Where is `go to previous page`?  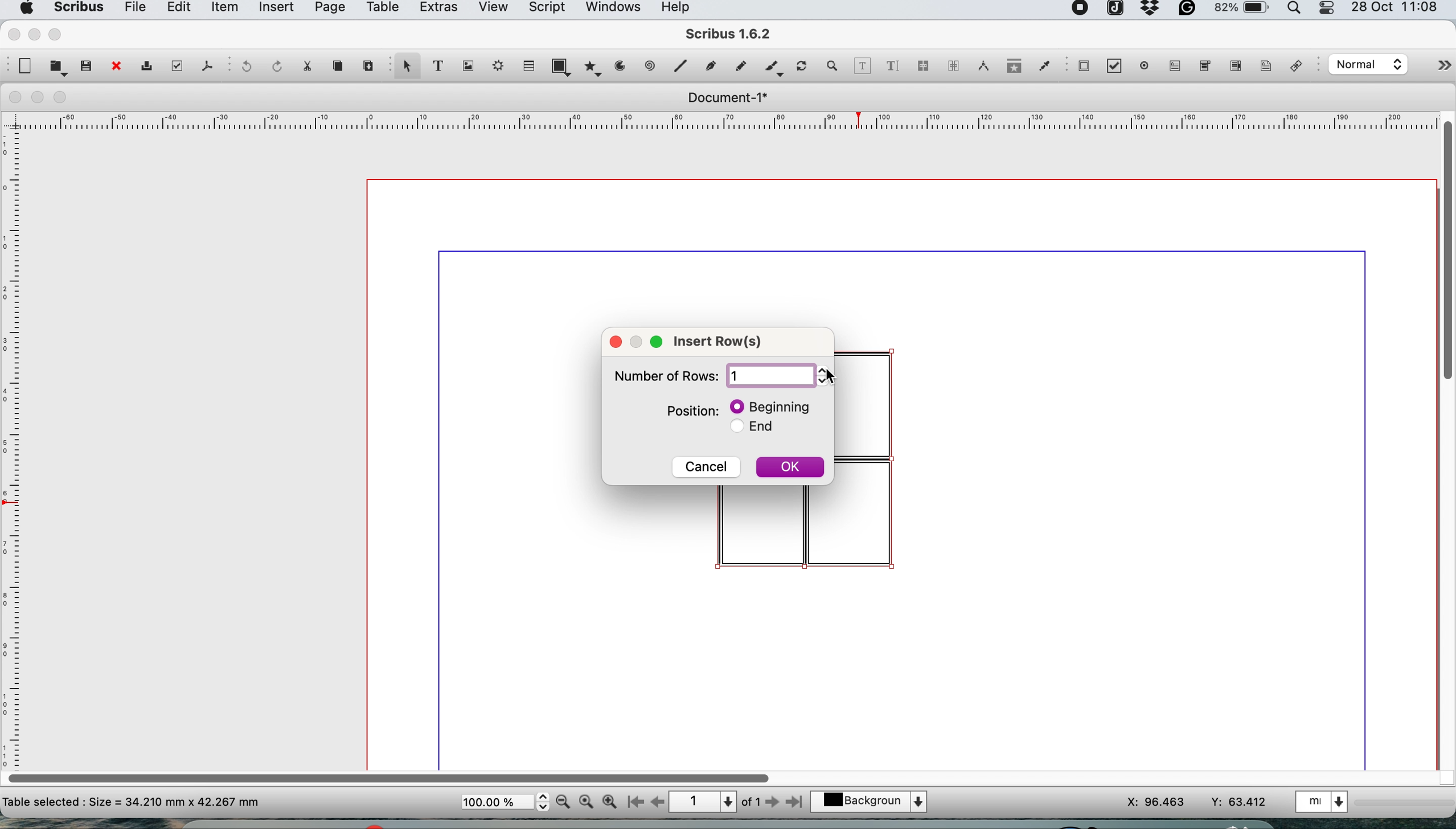 go to previous page is located at coordinates (657, 803).